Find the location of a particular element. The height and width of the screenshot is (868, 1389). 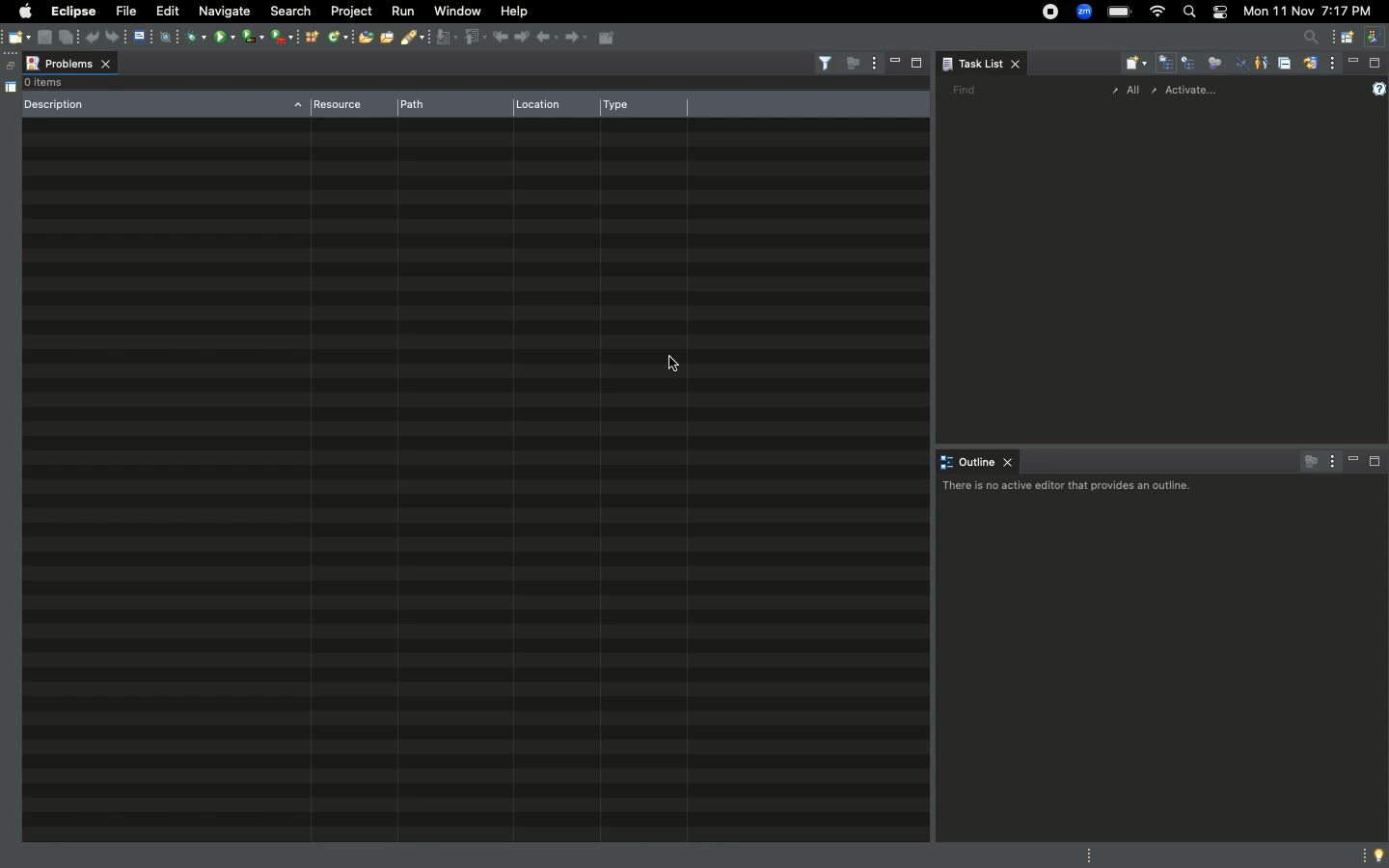

Maximize is located at coordinates (1375, 465).